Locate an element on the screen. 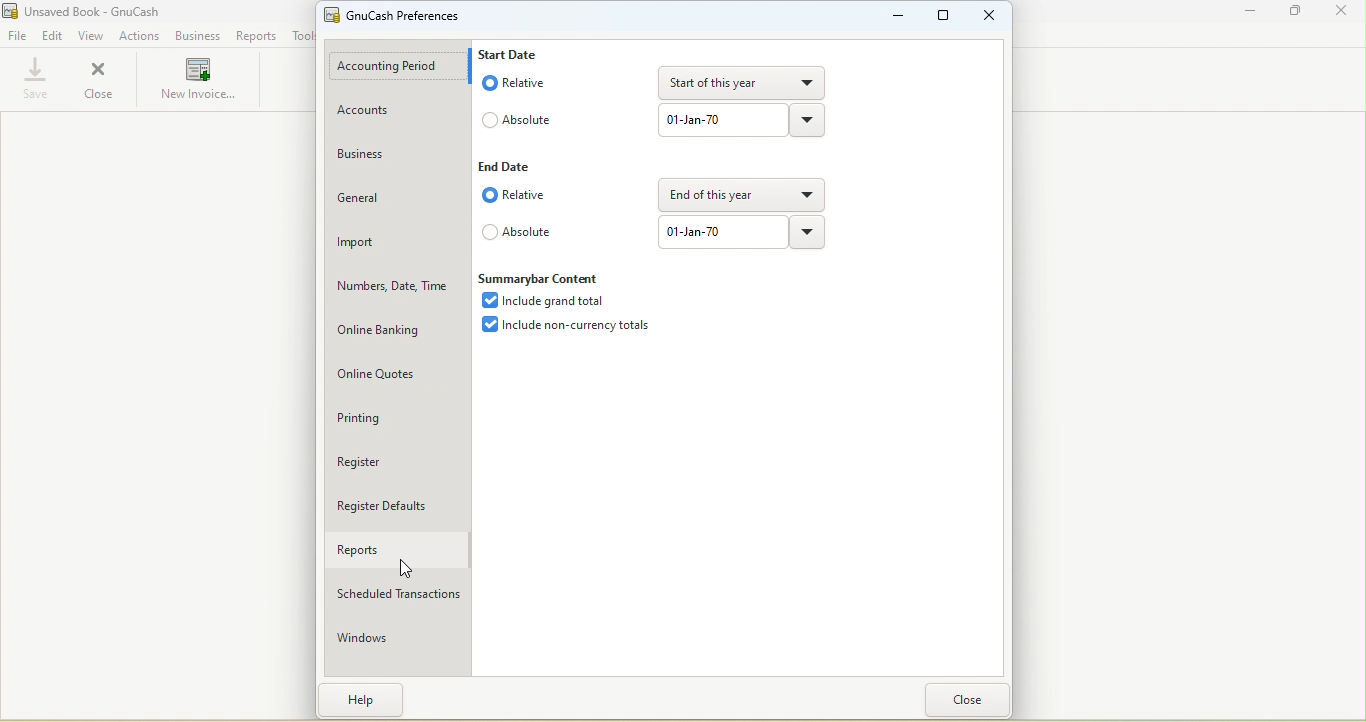 The width and height of the screenshot is (1366, 722). Save is located at coordinates (31, 81).